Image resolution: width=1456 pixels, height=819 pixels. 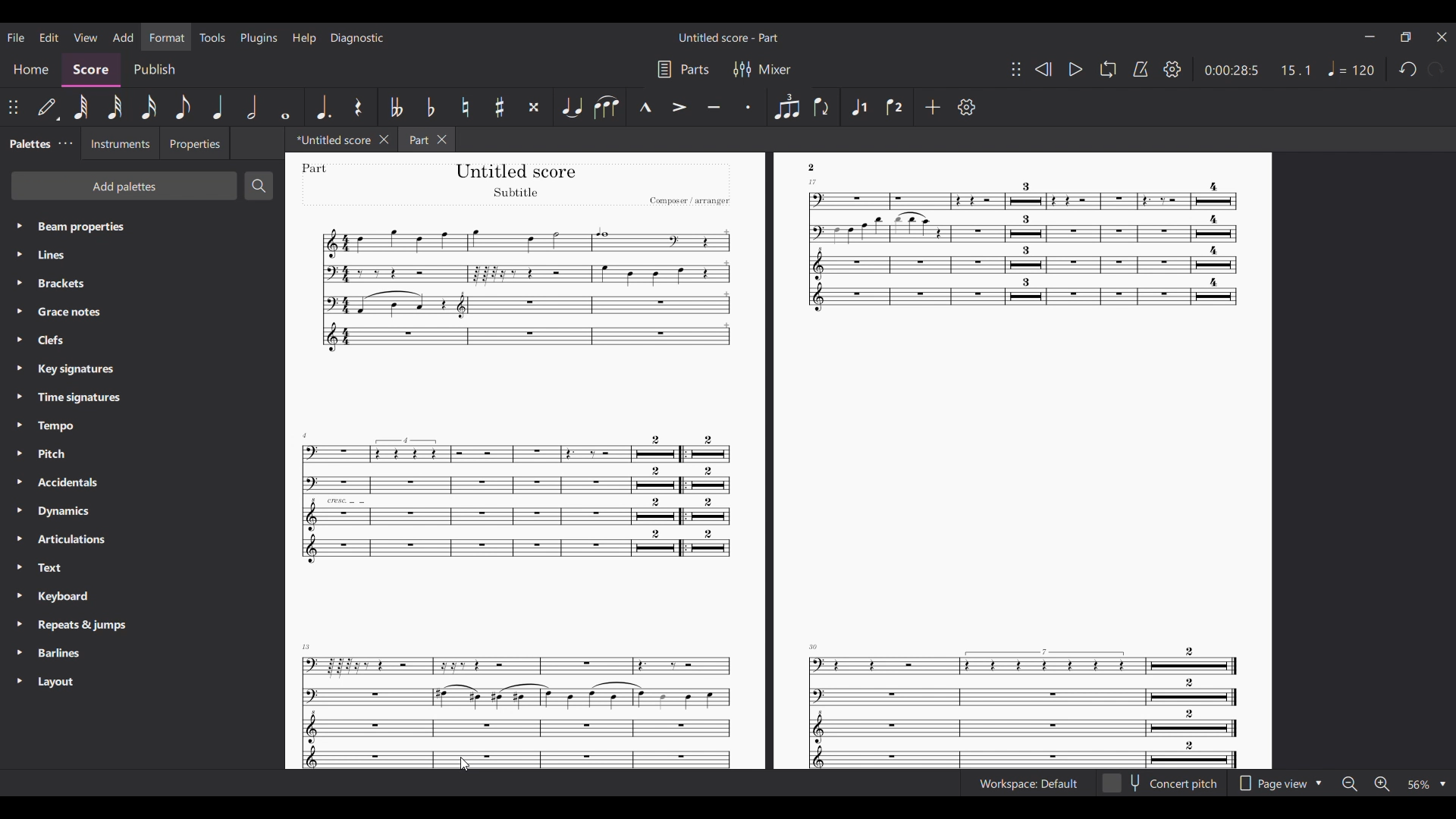 What do you see at coordinates (337, 140) in the screenshot?
I see `Untitled score` at bounding box center [337, 140].